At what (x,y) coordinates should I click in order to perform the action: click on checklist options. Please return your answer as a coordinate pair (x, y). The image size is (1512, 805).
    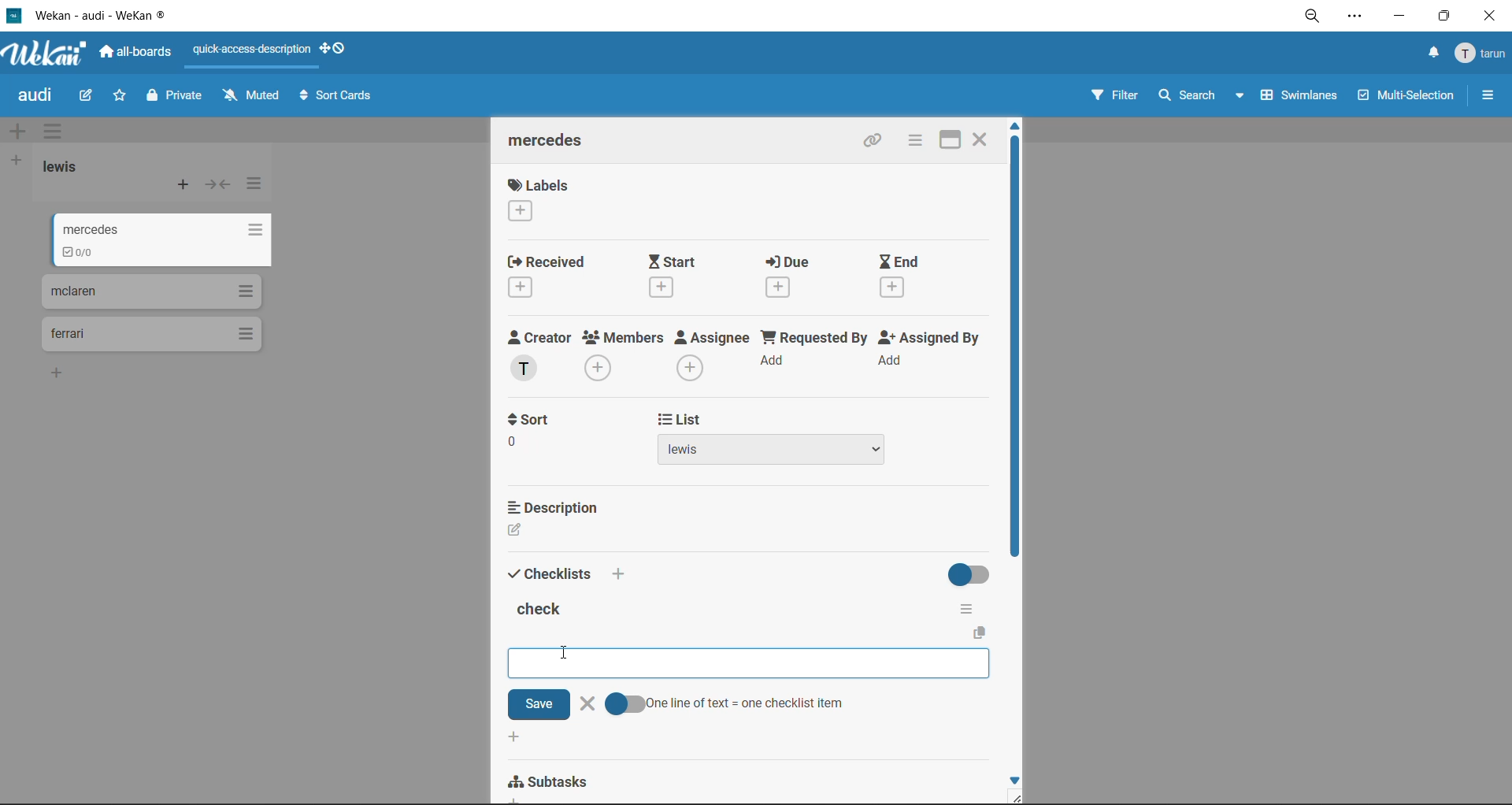
    Looking at the image, I should click on (966, 606).